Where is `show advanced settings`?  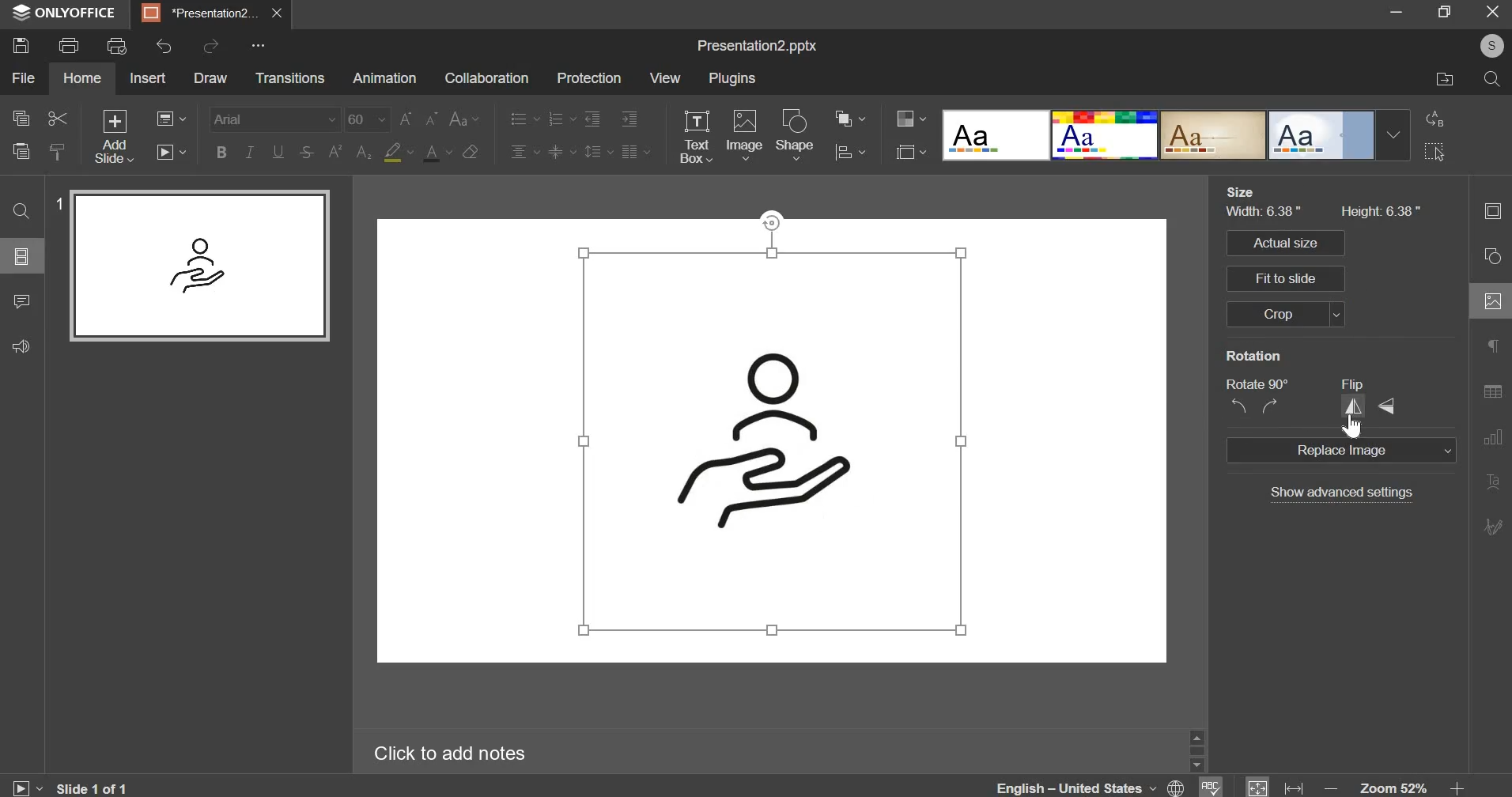
show advanced settings is located at coordinates (1336, 493).